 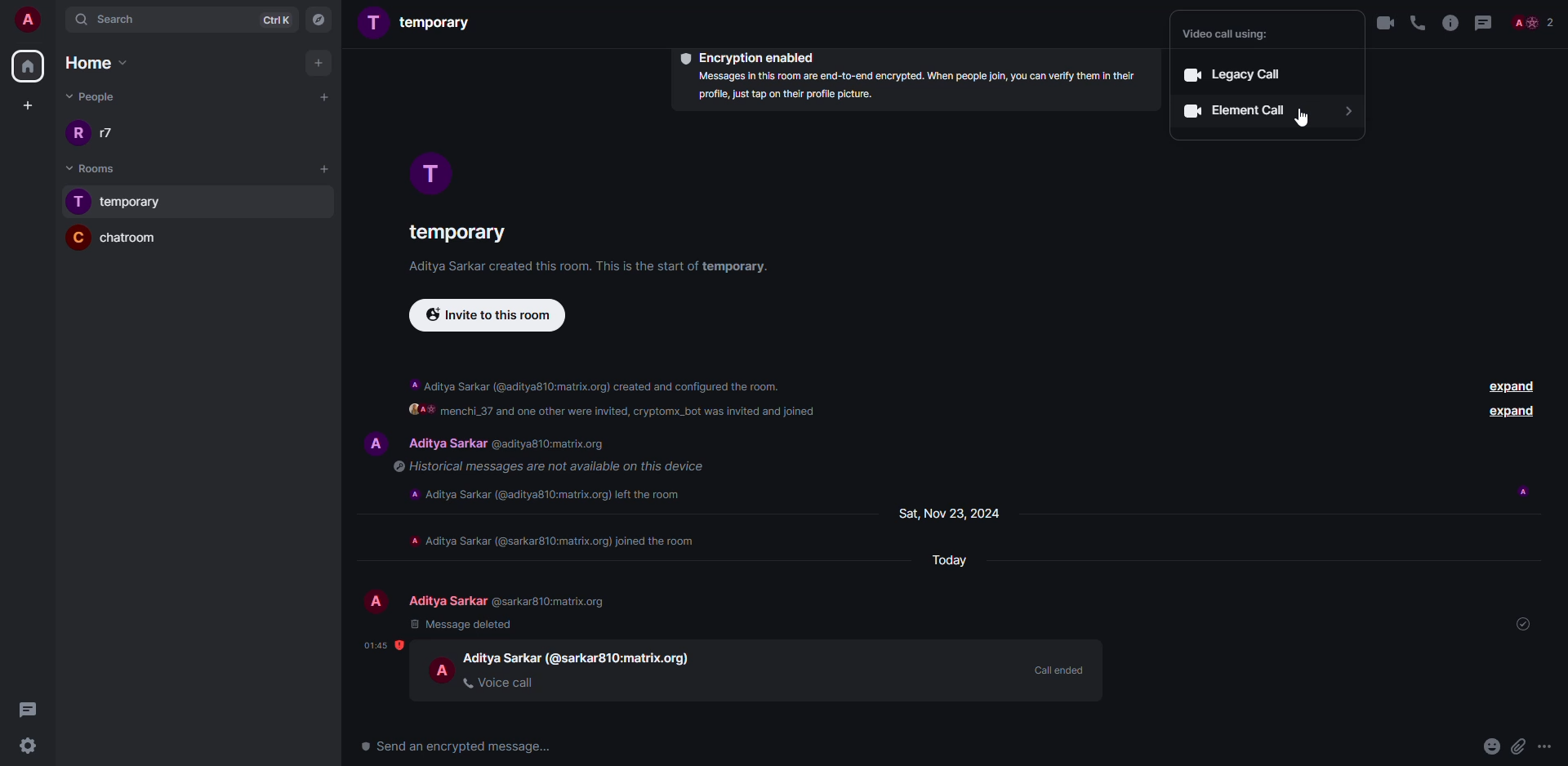 What do you see at coordinates (1528, 626) in the screenshot?
I see `sent` at bounding box center [1528, 626].